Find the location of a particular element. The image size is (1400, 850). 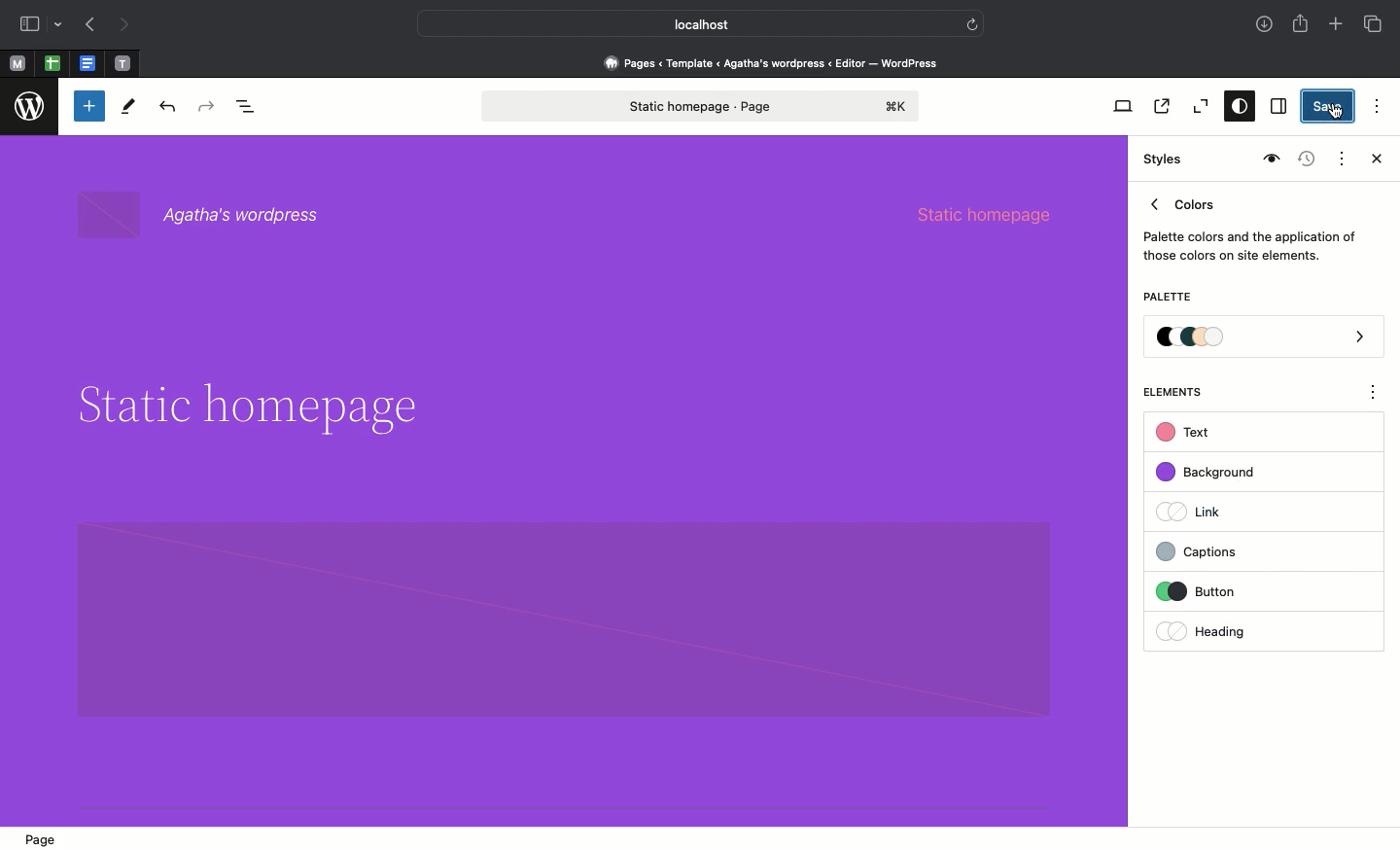

Text is located at coordinates (1186, 433).